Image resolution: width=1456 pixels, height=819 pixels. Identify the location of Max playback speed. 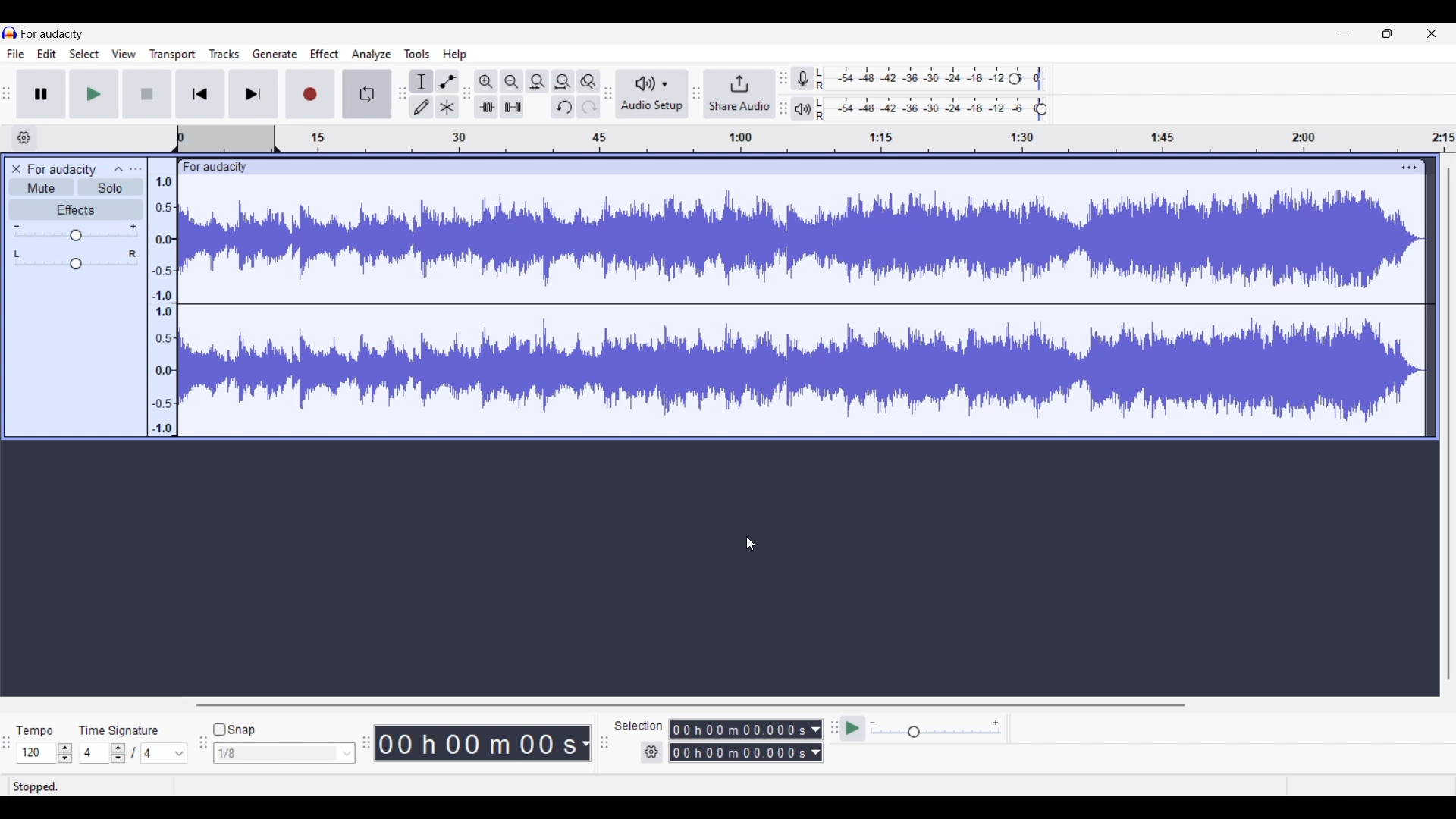
(996, 723).